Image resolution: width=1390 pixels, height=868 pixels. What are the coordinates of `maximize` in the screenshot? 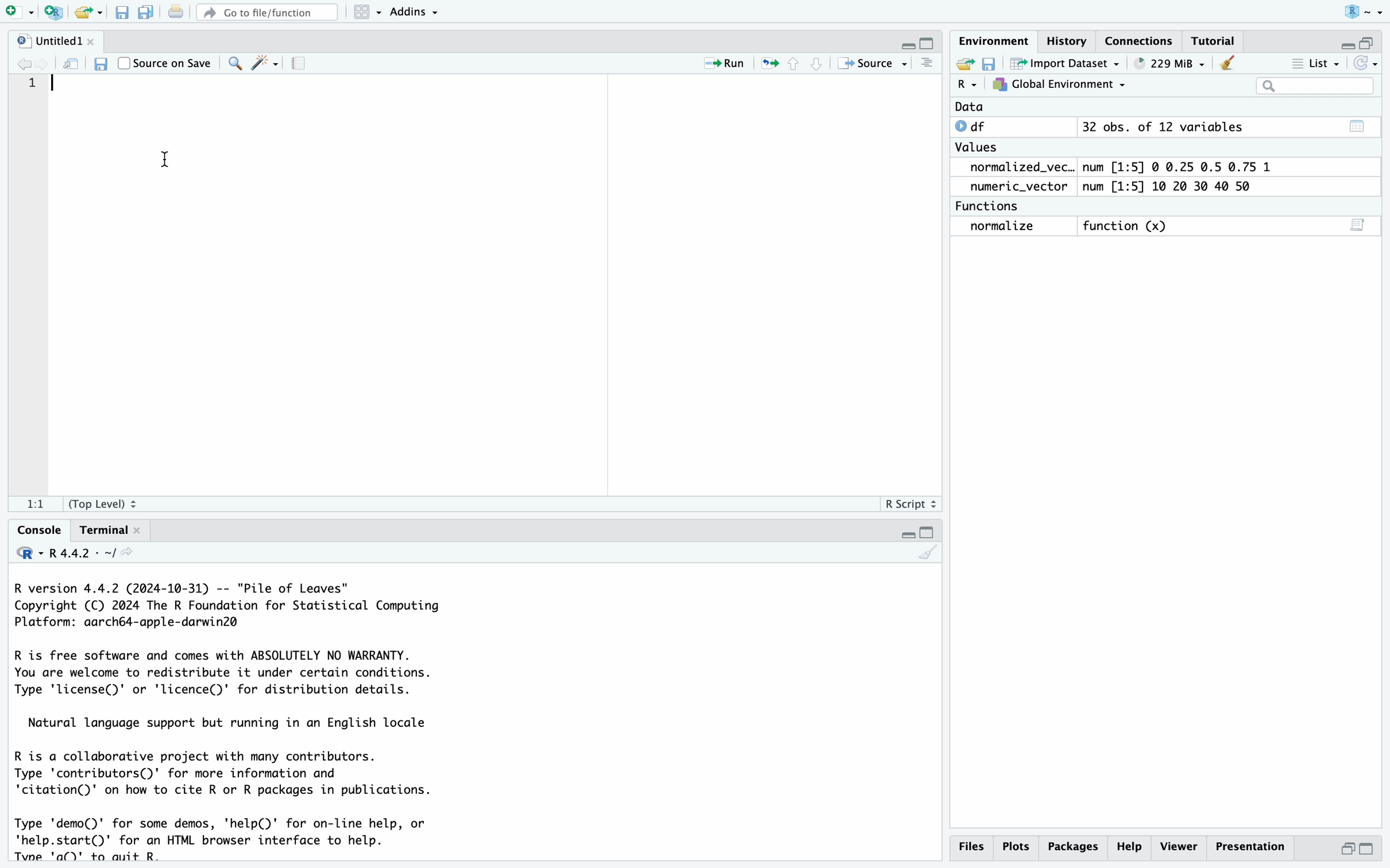 It's located at (929, 533).